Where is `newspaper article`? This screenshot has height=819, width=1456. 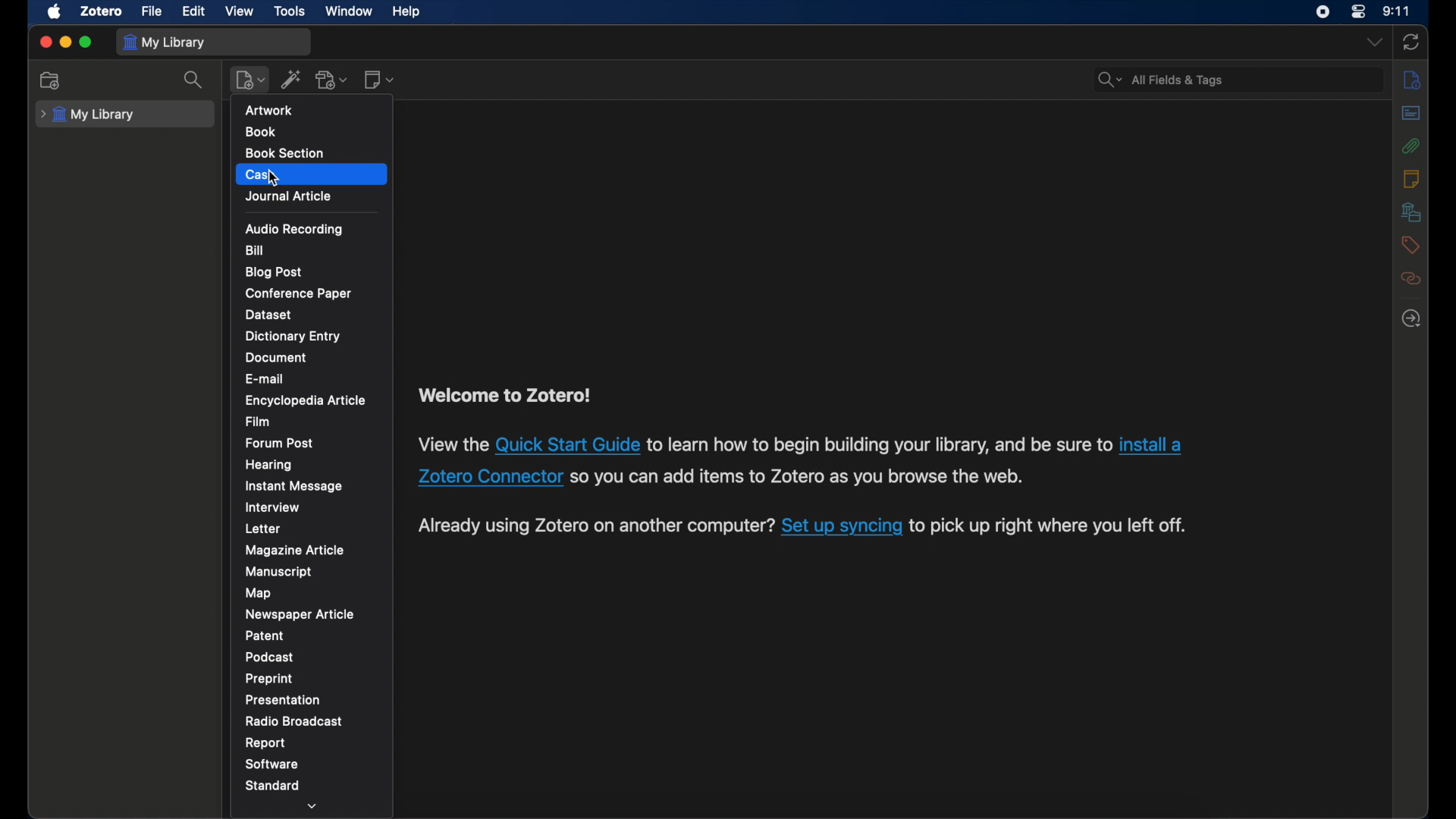
newspaper article is located at coordinates (300, 614).